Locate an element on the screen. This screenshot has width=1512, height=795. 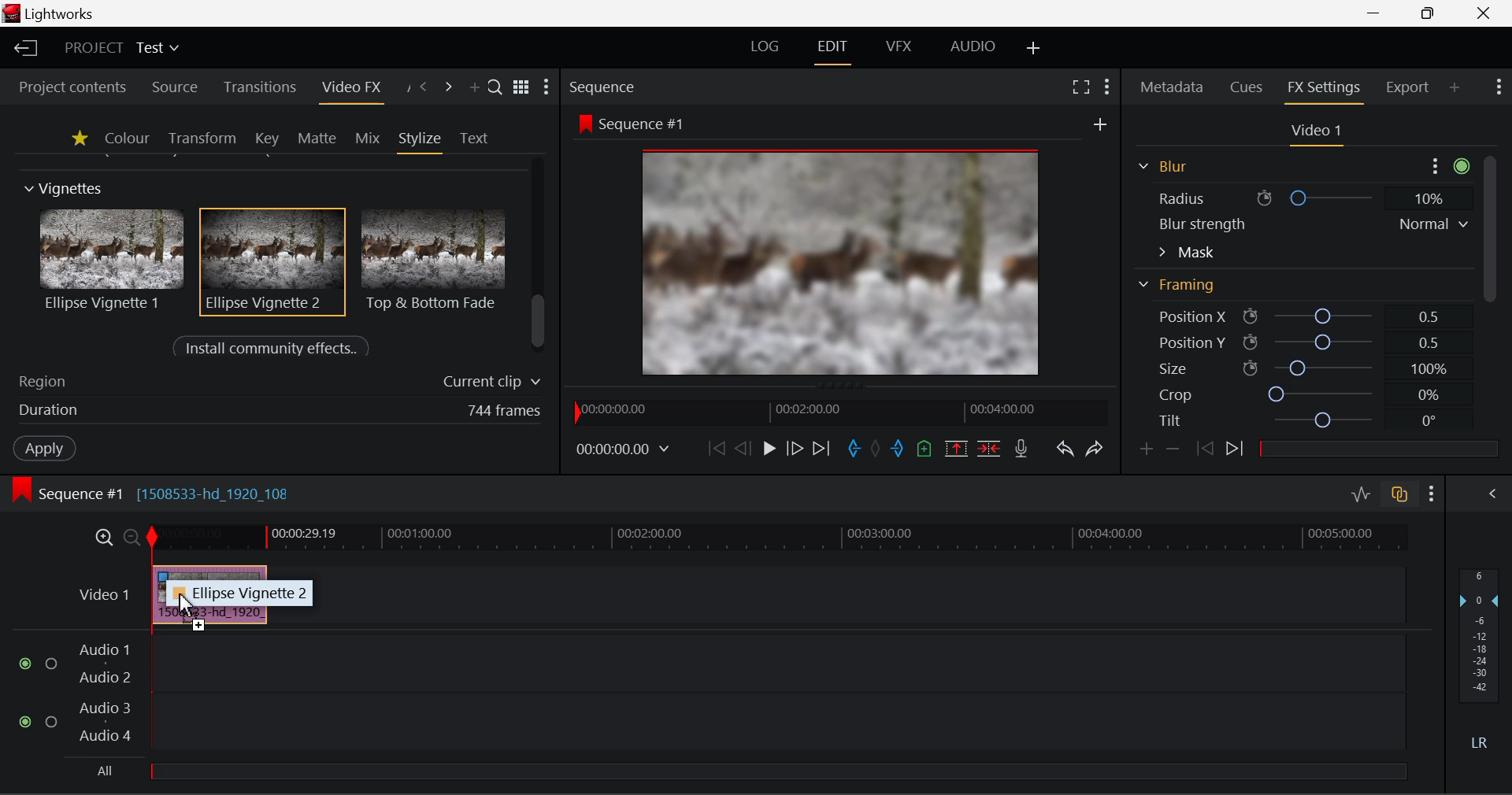
Tilt is located at coordinates (1299, 420).